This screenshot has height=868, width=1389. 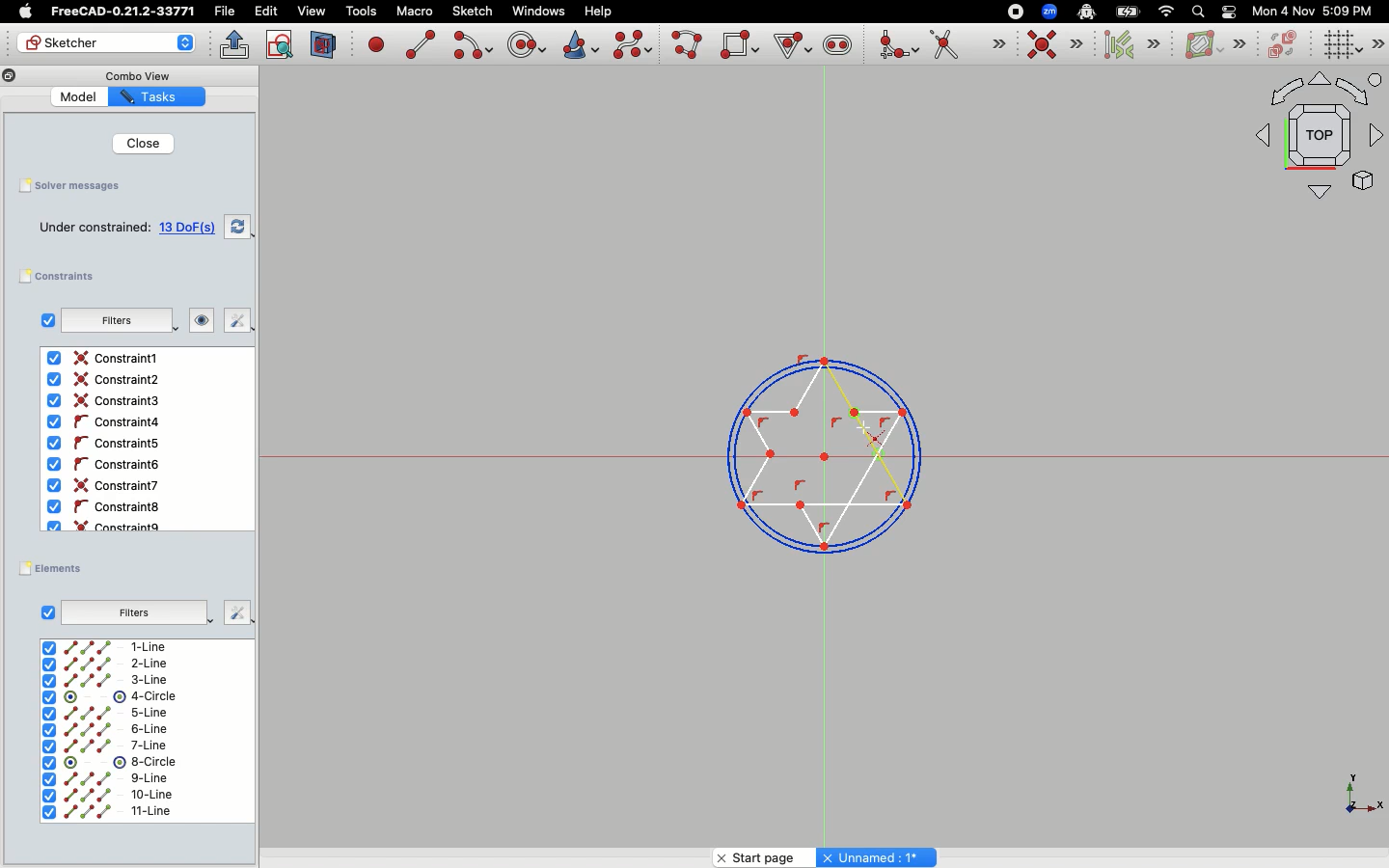 I want to click on Create b-spline, so click(x=633, y=44).